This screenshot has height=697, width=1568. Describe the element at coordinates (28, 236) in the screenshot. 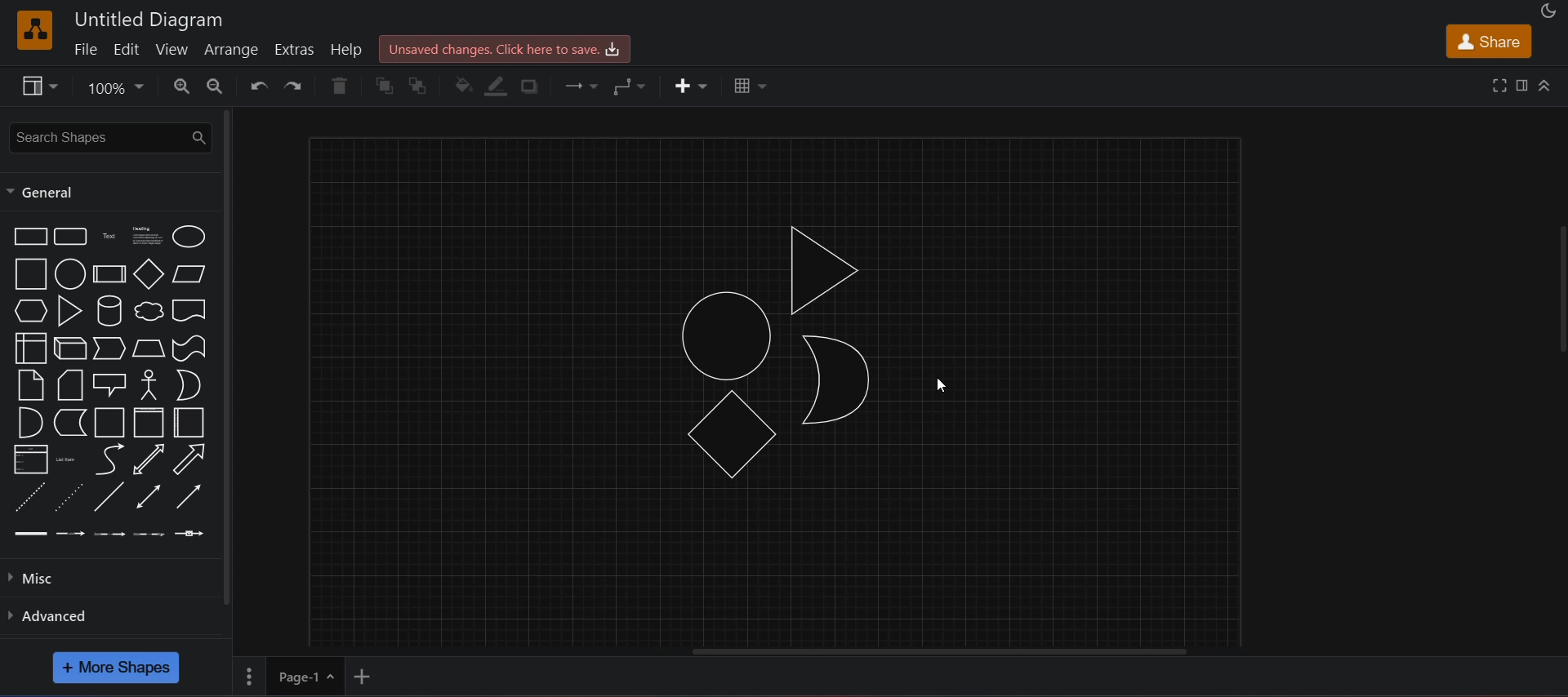

I see `rectangle` at that location.